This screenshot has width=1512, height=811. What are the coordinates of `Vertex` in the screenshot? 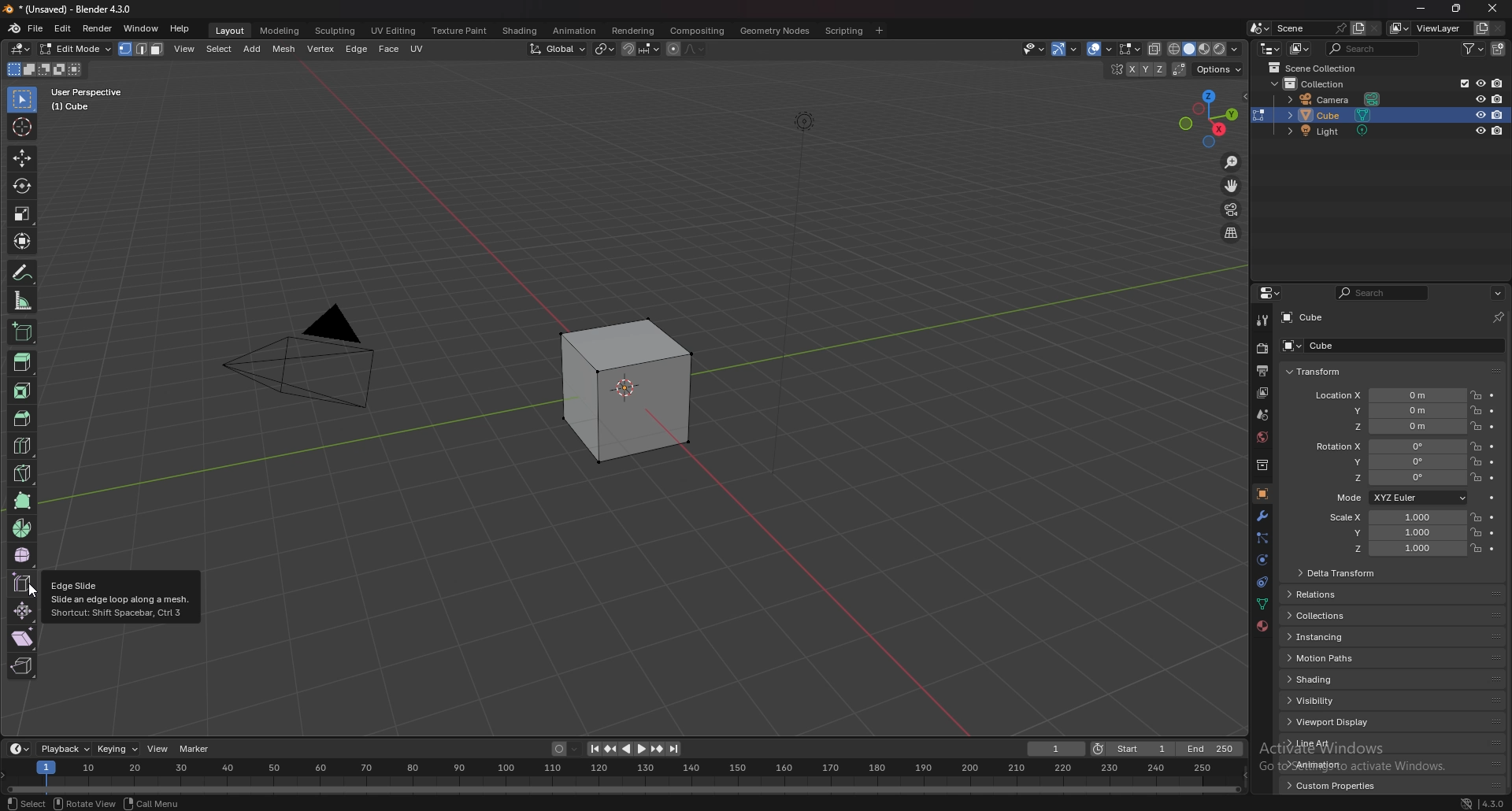 It's located at (320, 47).